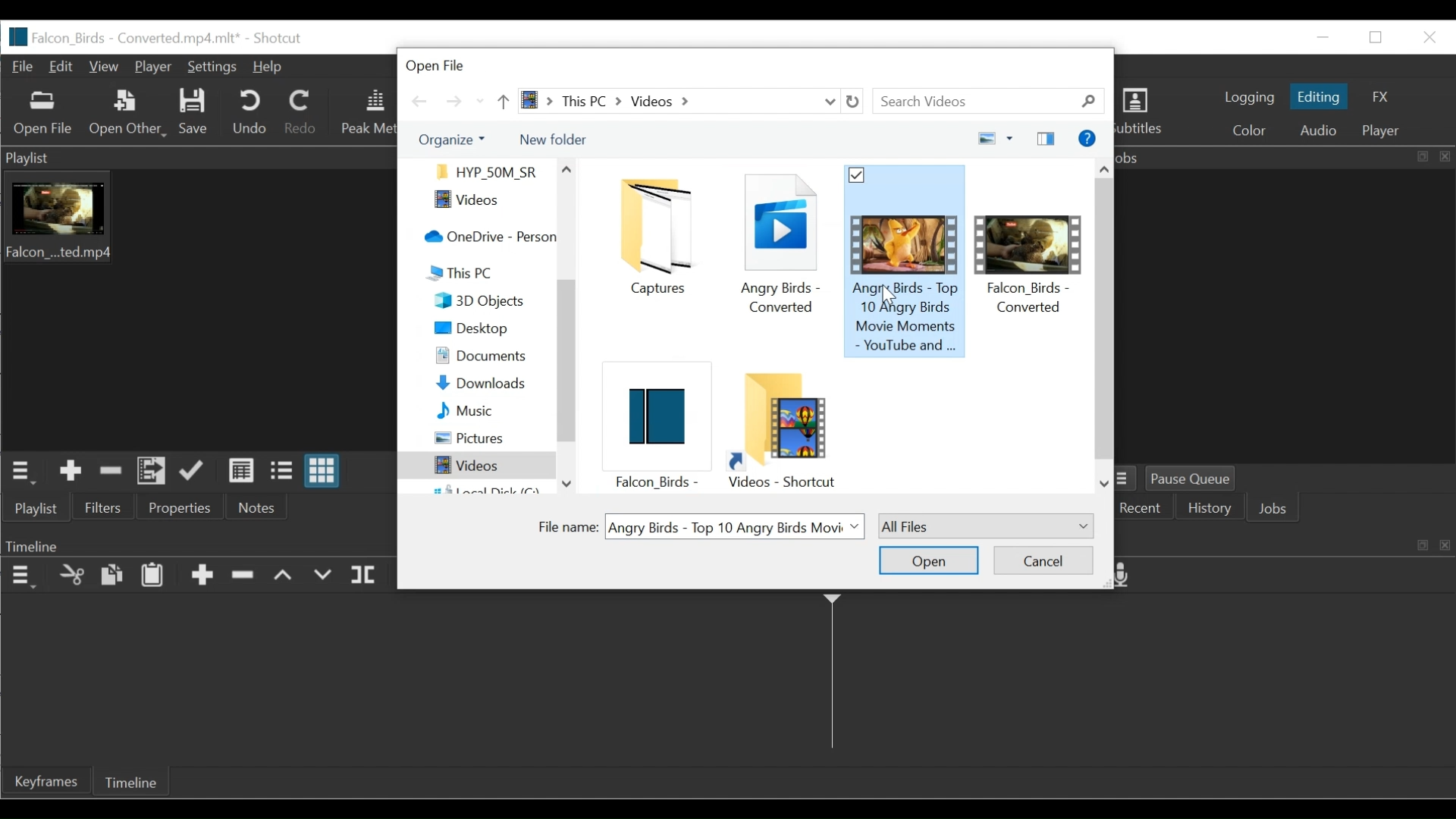 The image size is (1456, 819). Describe the element at coordinates (486, 237) in the screenshot. I see `OneDrive` at that location.